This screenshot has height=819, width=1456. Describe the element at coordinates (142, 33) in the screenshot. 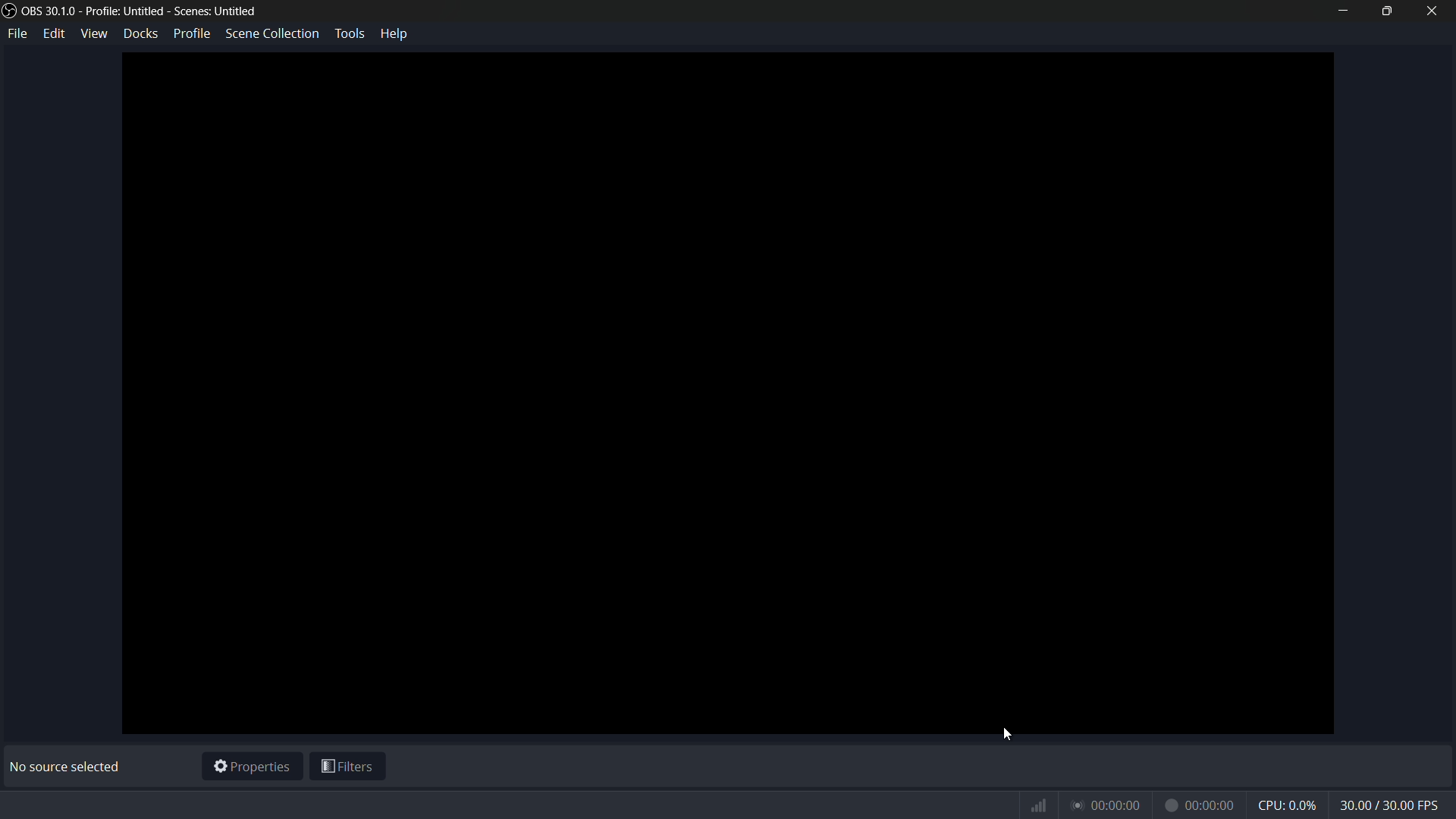

I see `docks menu` at that location.